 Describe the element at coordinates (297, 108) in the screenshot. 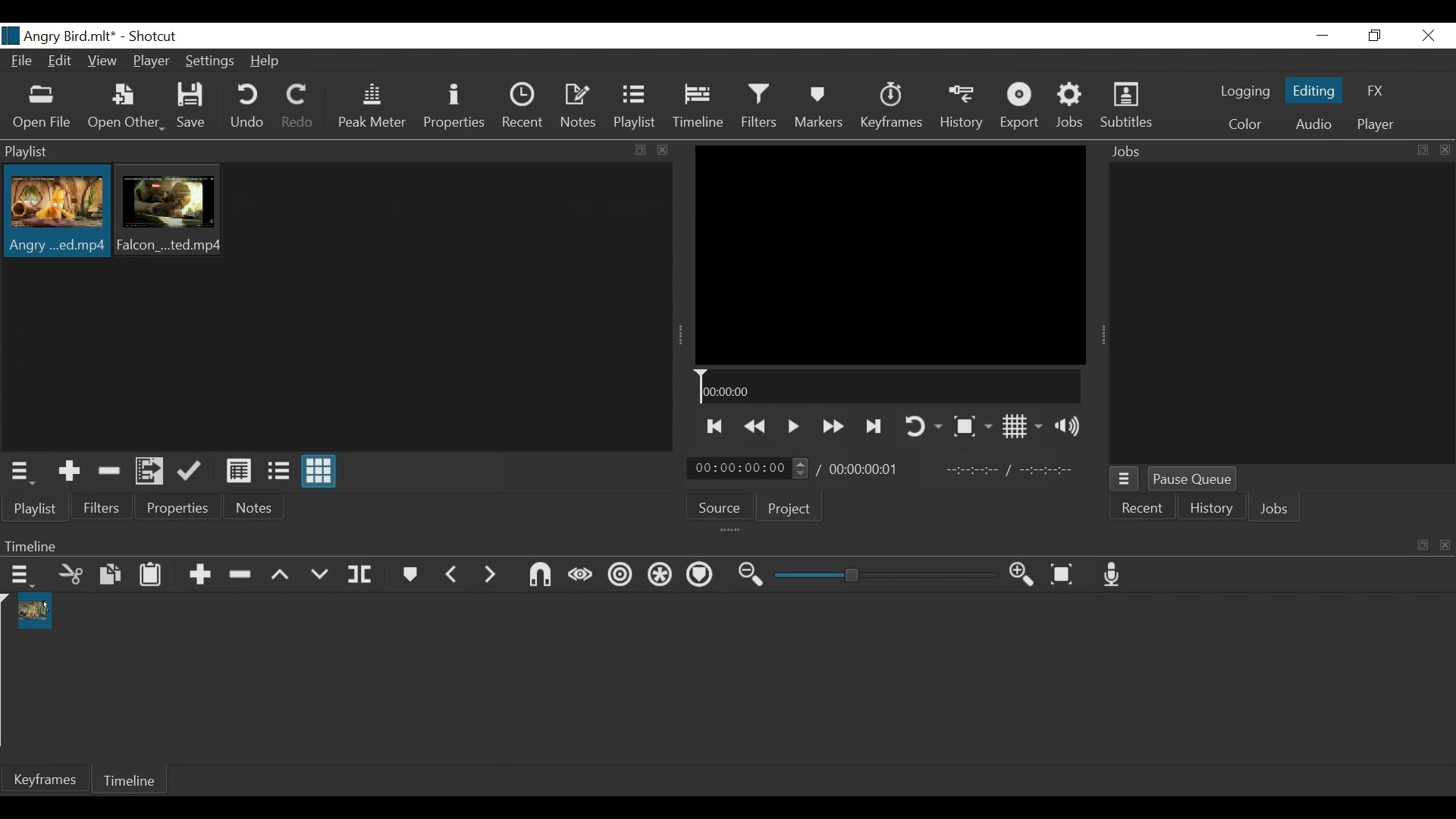

I see `Redo` at that location.